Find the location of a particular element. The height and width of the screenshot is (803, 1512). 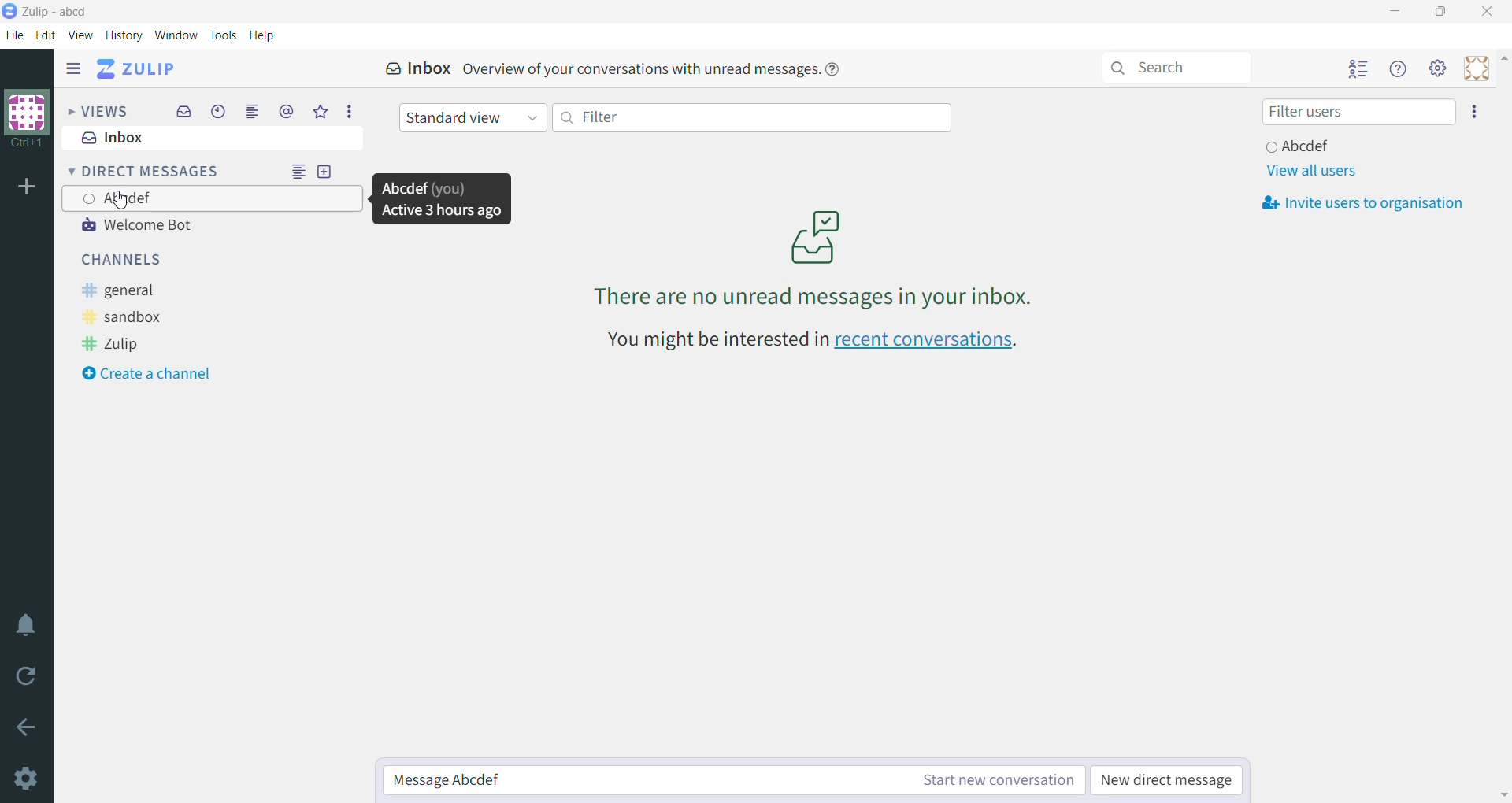

There are no unread messages in you rinbox is located at coordinates (809, 253).